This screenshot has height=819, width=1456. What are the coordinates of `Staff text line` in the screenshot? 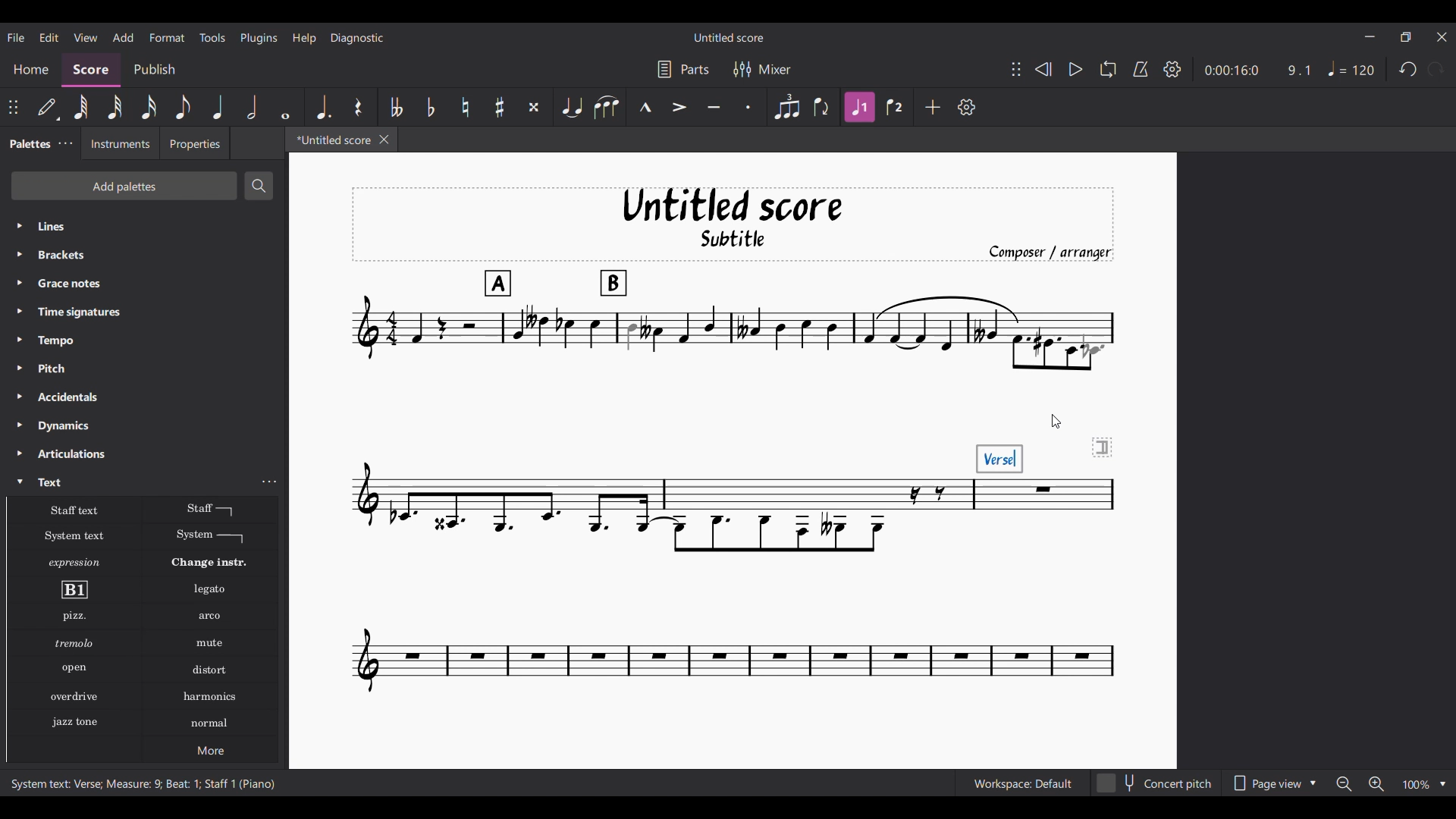 It's located at (211, 509).